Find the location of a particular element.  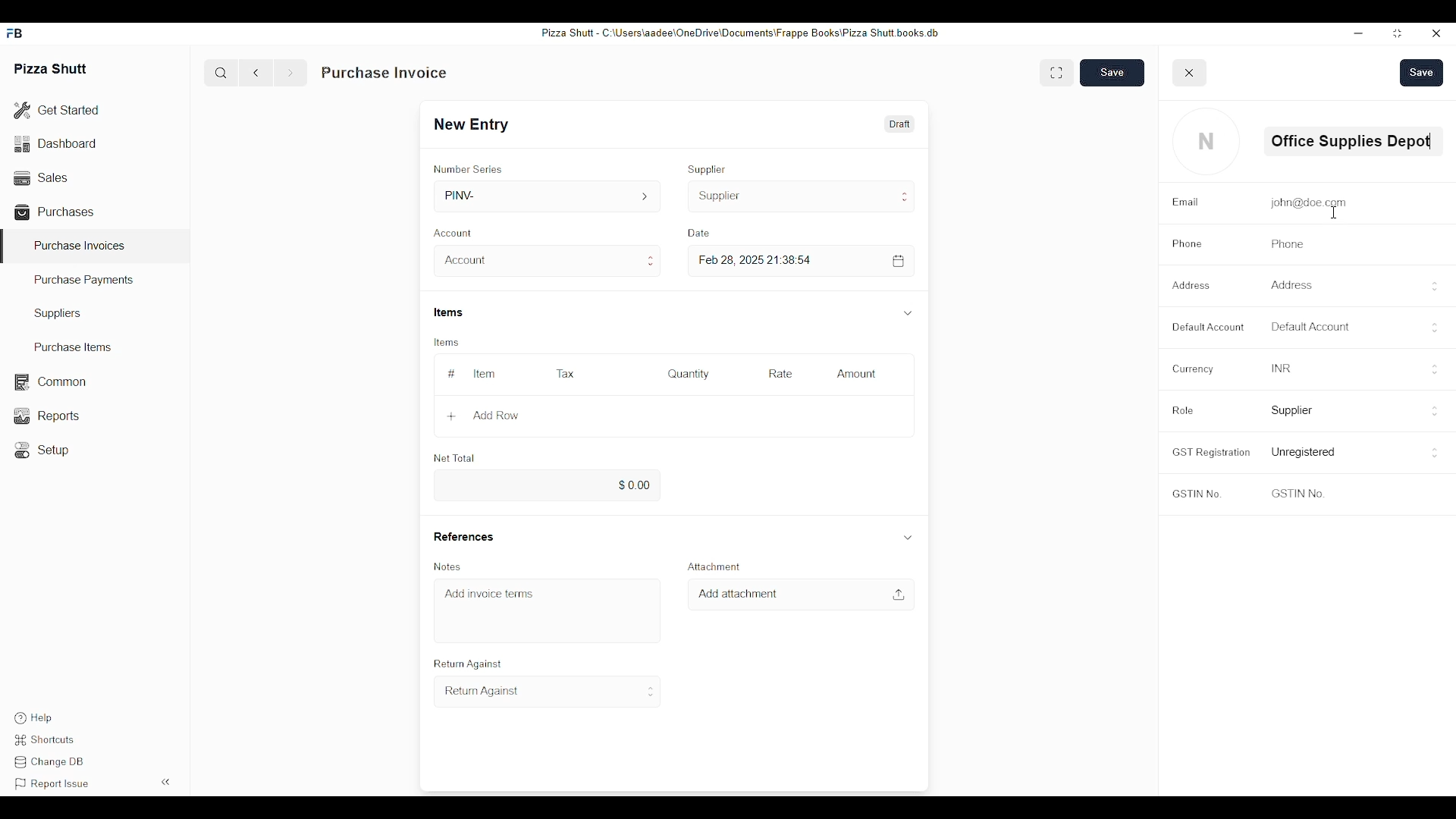

Return Against  is located at coordinates (548, 692).